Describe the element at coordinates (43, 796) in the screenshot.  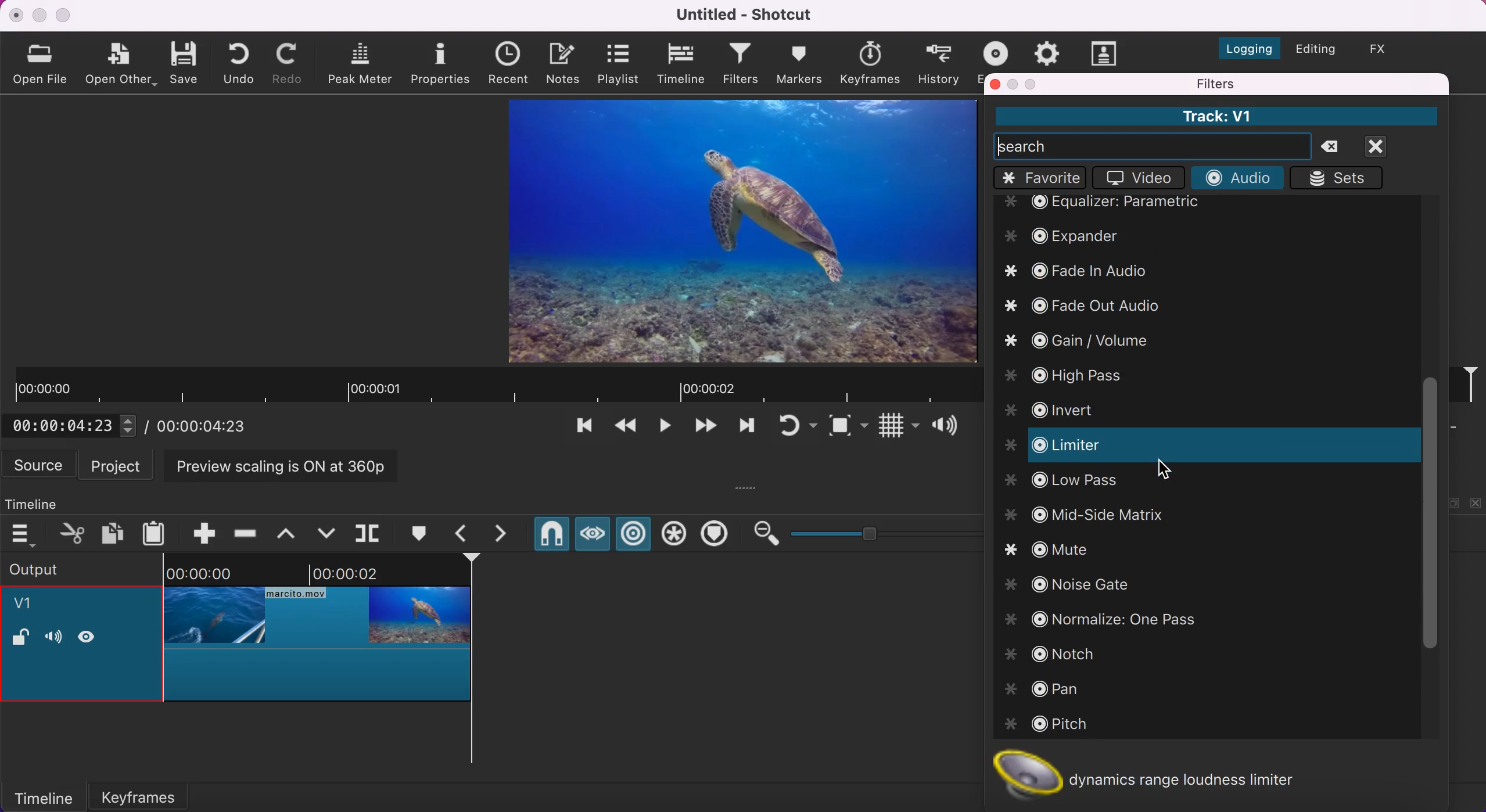
I see `timeline` at that location.